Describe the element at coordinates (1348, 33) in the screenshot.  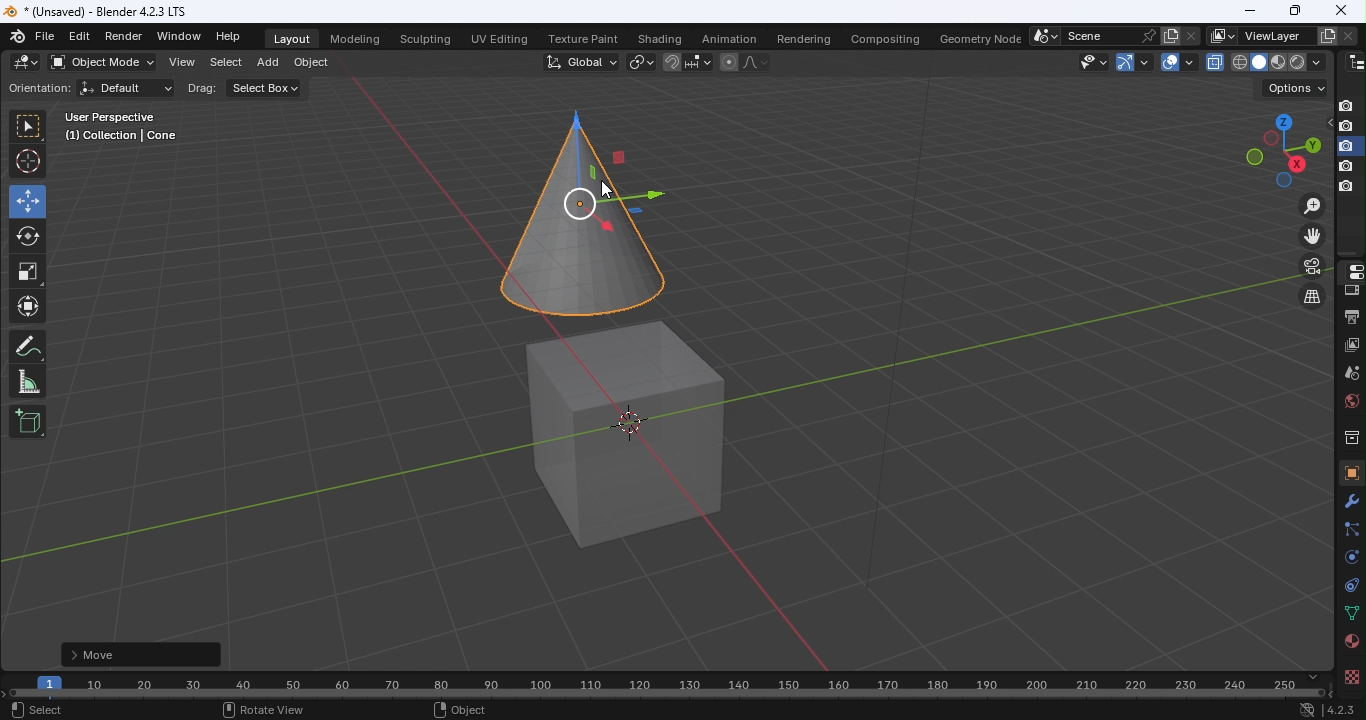
I see `Remove view layer` at that location.